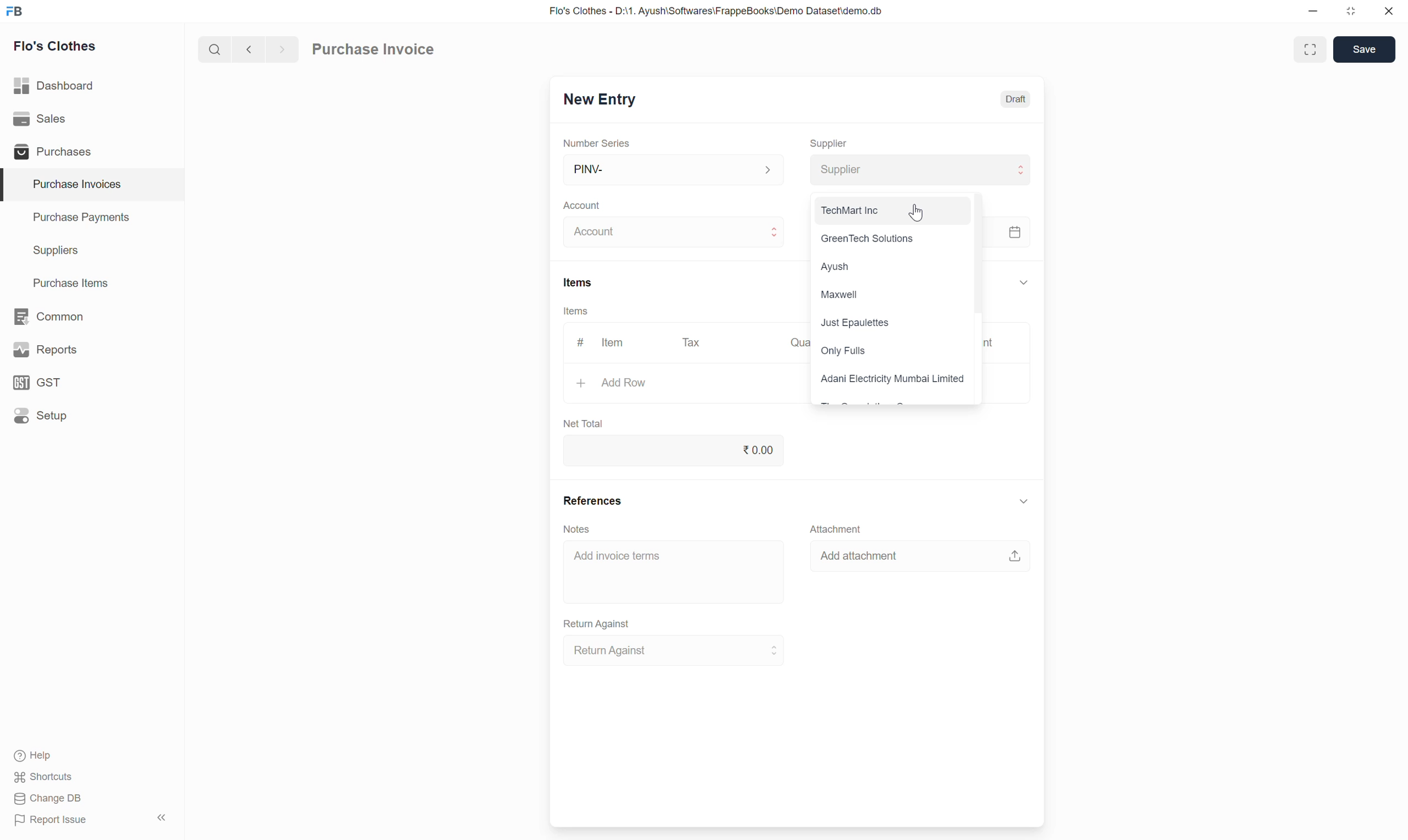  Describe the element at coordinates (597, 624) in the screenshot. I see `Return Against` at that location.